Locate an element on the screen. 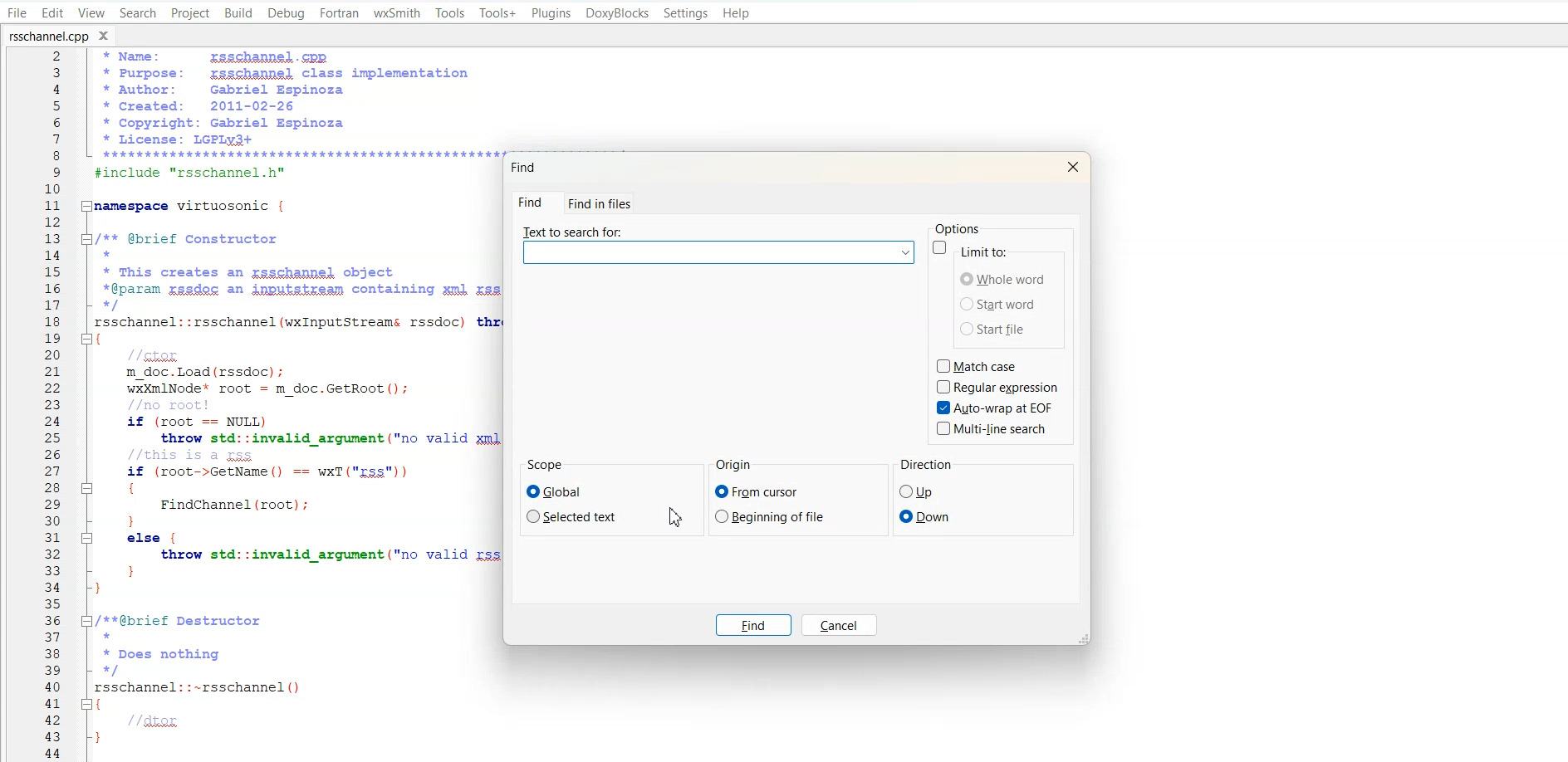 The height and width of the screenshot is (762, 1568). Close is located at coordinates (106, 34).